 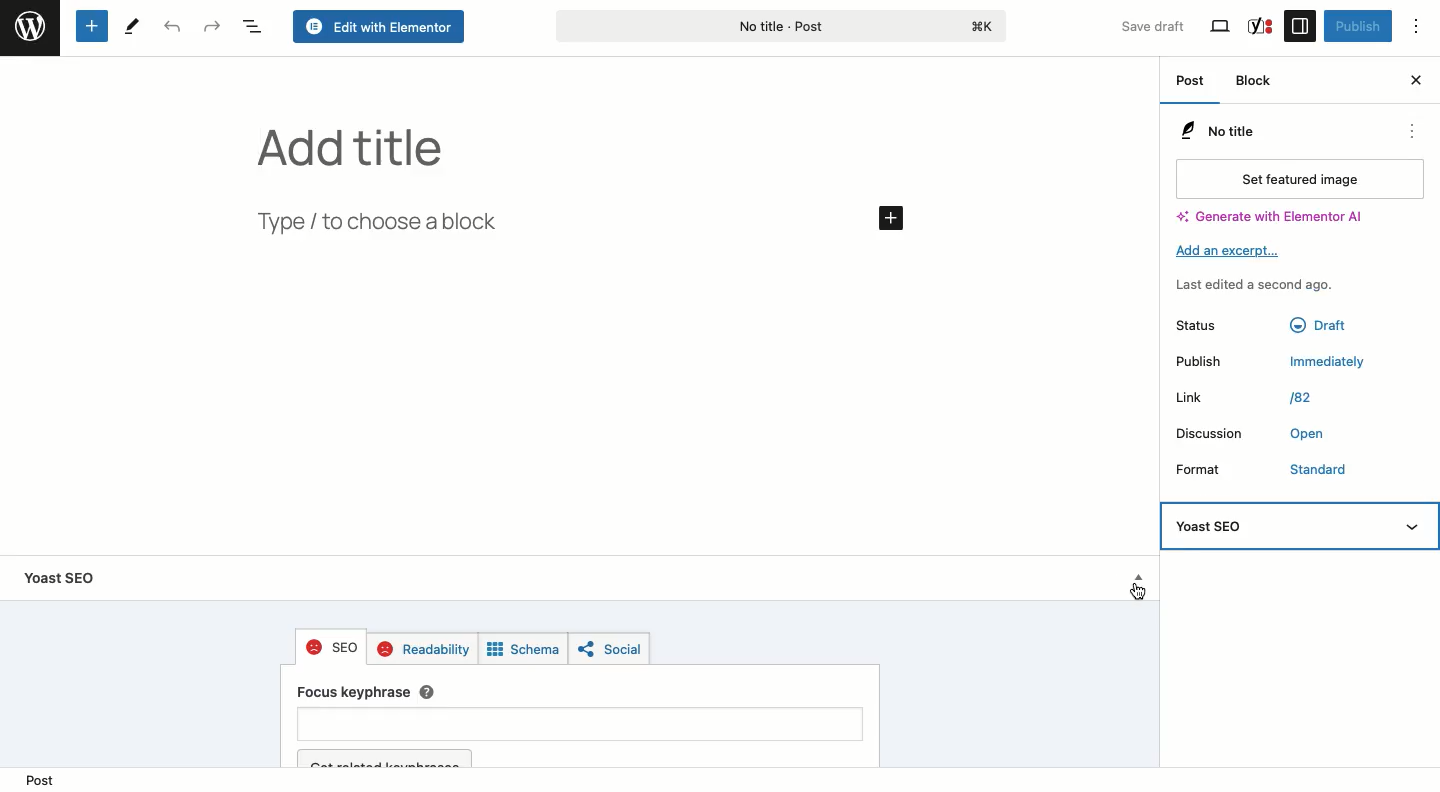 What do you see at coordinates (861, 25) in the screenshot?
I see `No title - Post ` at bounding box center [861, 25].